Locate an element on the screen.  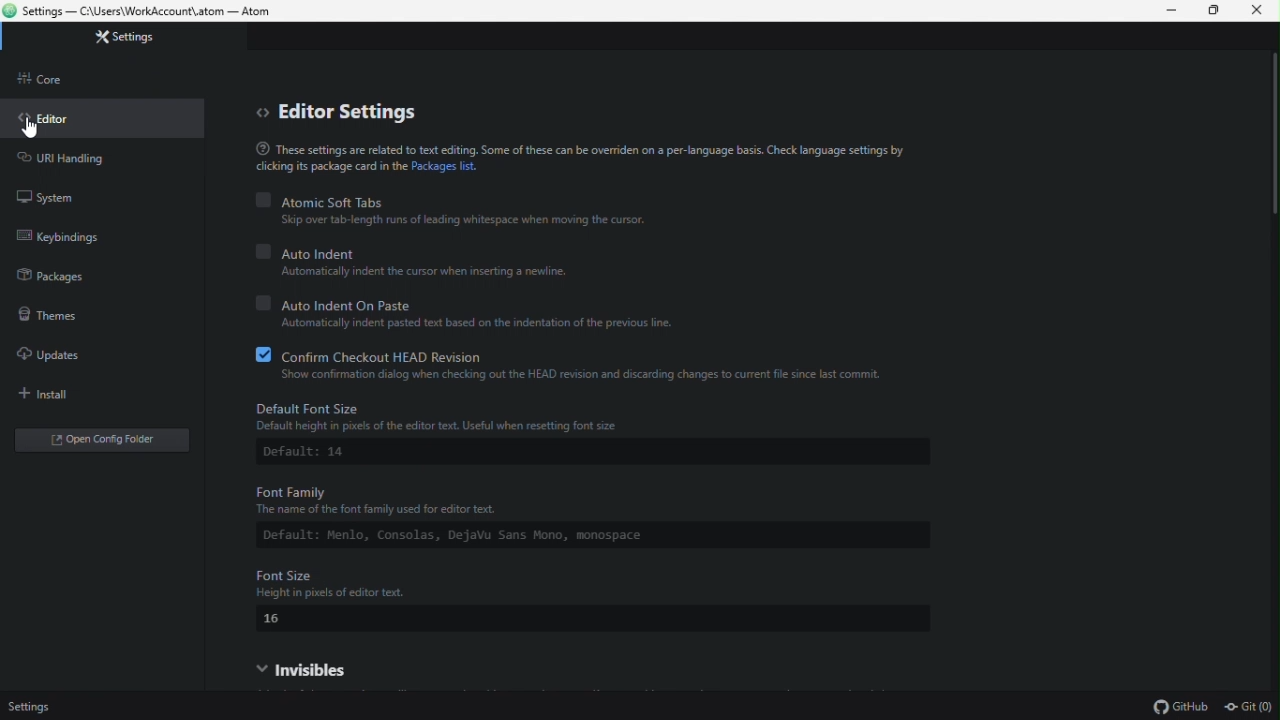
Font Family
The name of the font family used for editor text. is located at coordinates (556, 496).